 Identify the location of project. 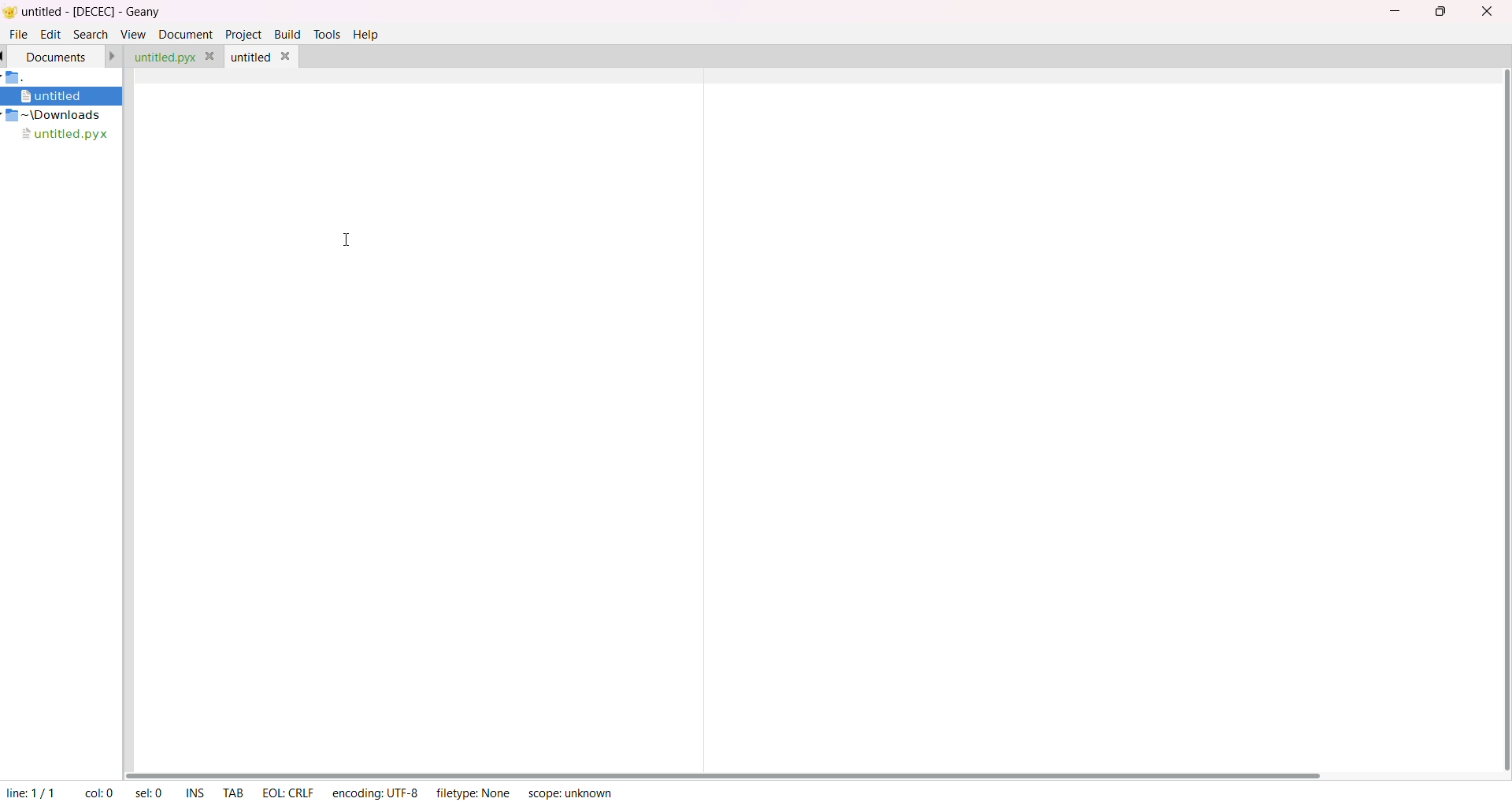
(243, 34).